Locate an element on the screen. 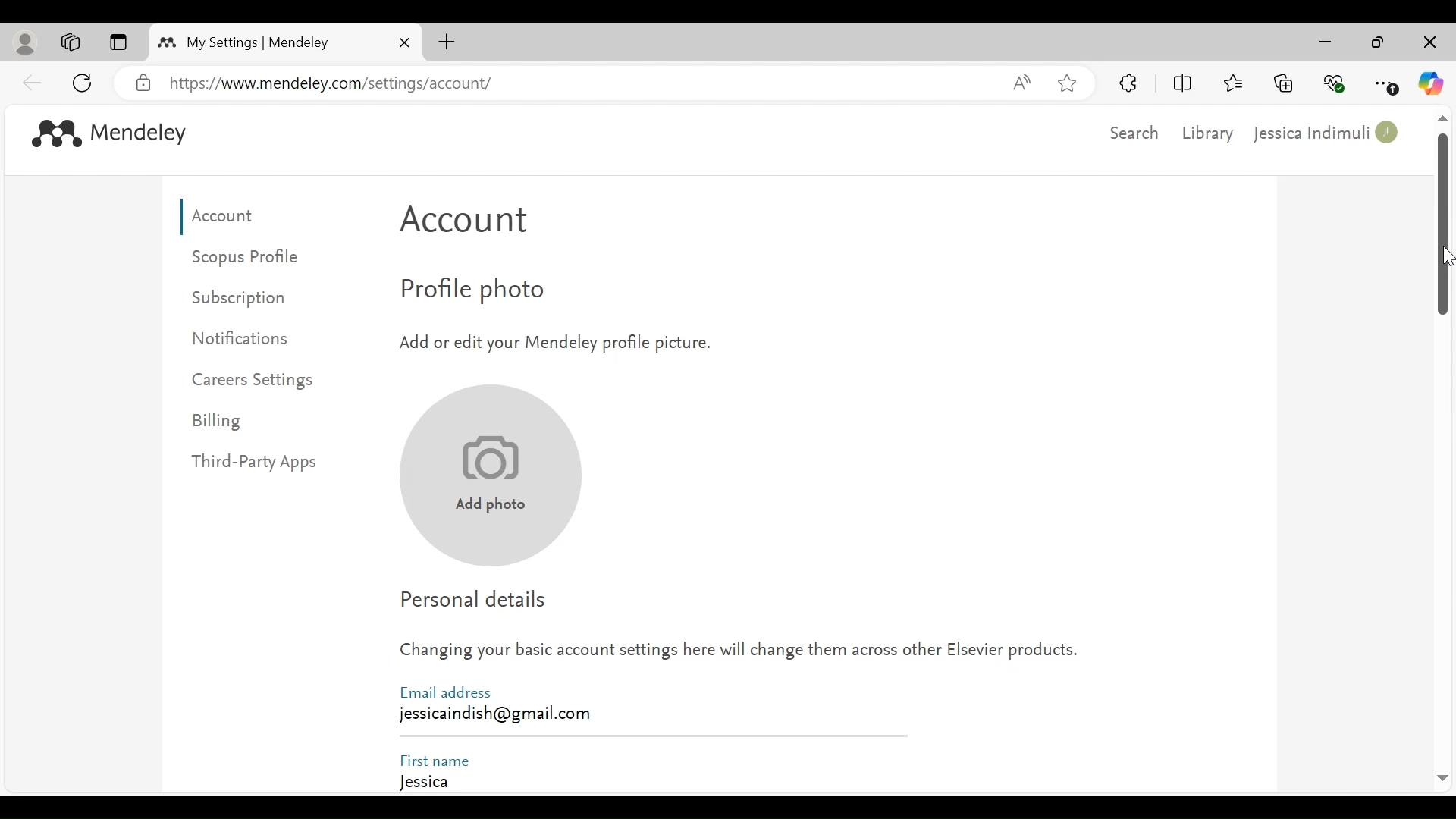 The image size is (1456, 819). My Settings | Mendeley is located at coordinates (258, 42).